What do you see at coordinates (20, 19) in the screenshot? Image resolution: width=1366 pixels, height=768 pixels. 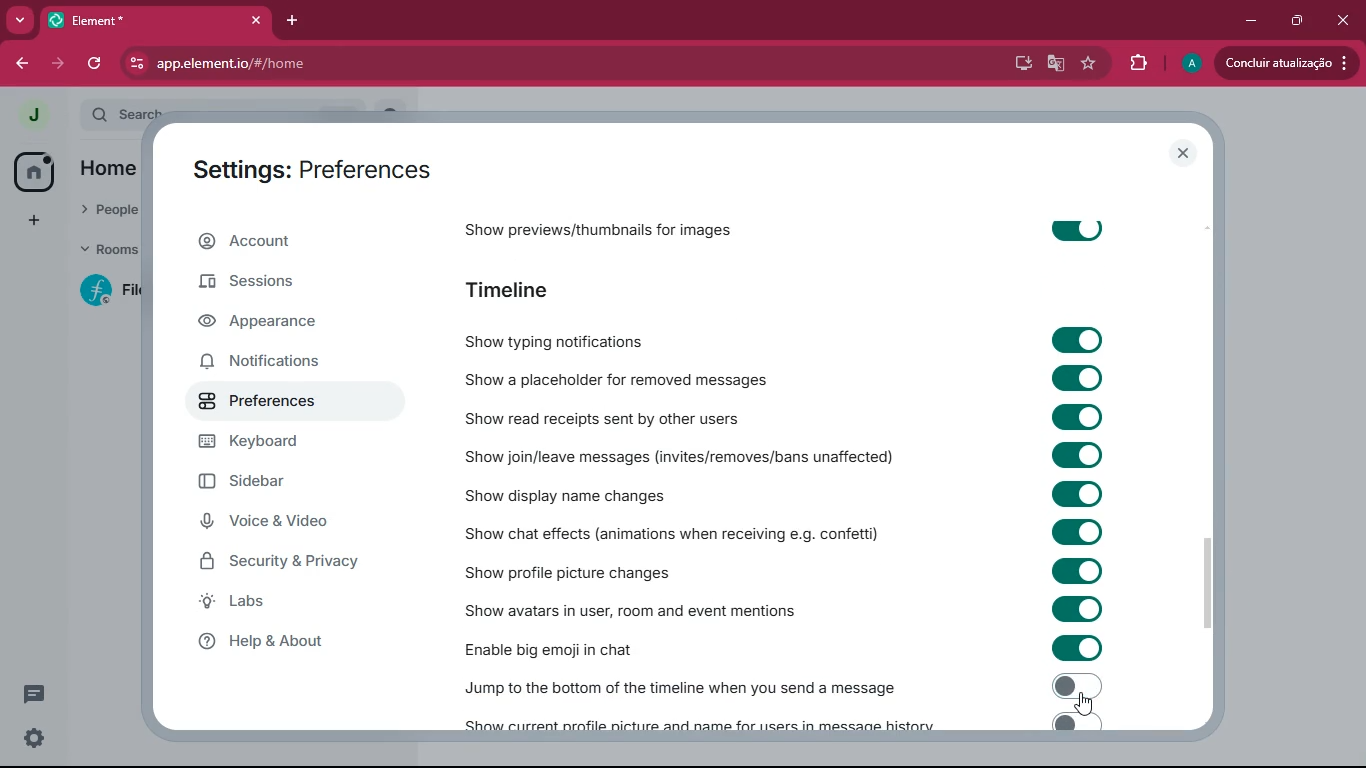 I see `more` at bounding box center [20, 19].